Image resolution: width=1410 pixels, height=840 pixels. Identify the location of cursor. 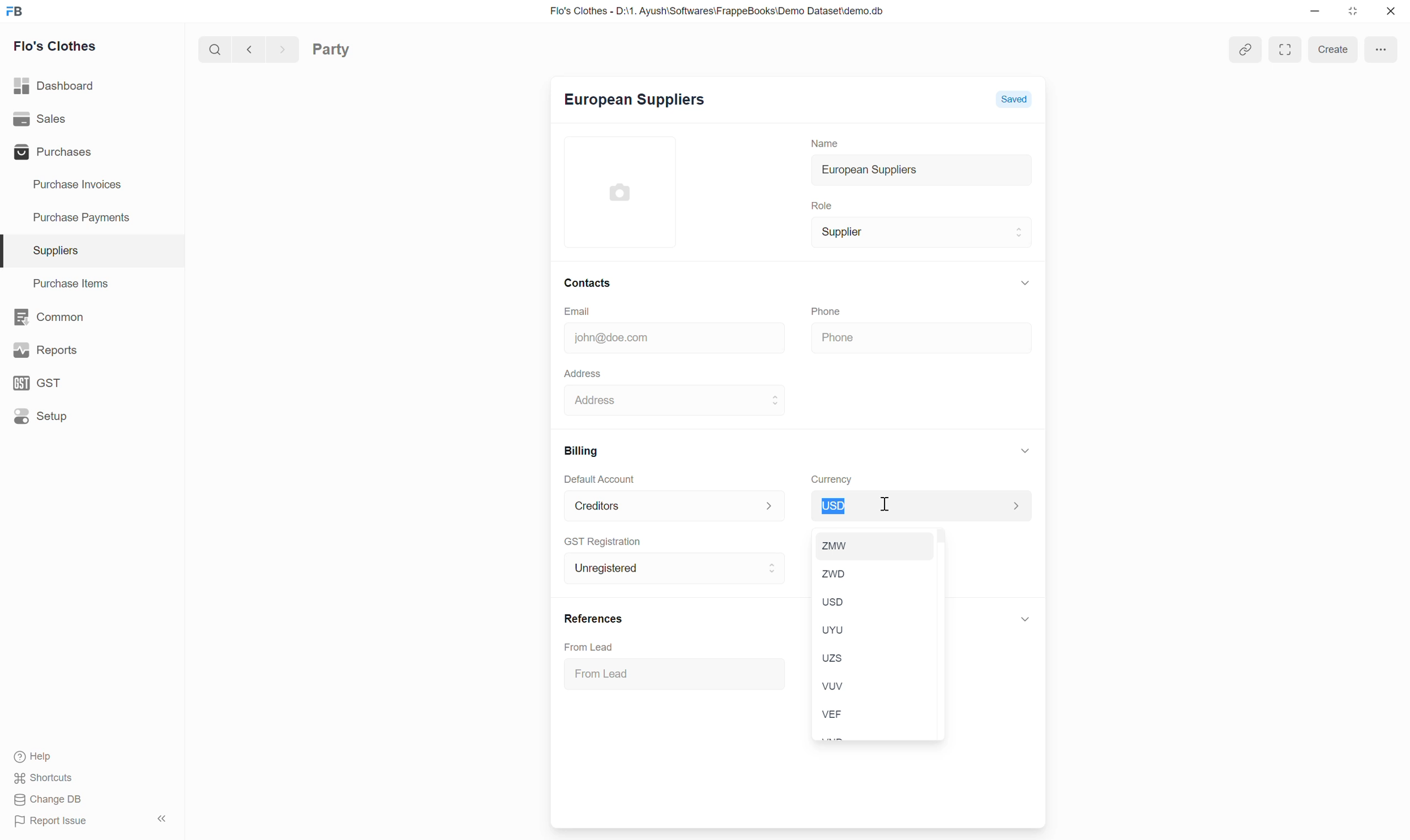
(888, 503).